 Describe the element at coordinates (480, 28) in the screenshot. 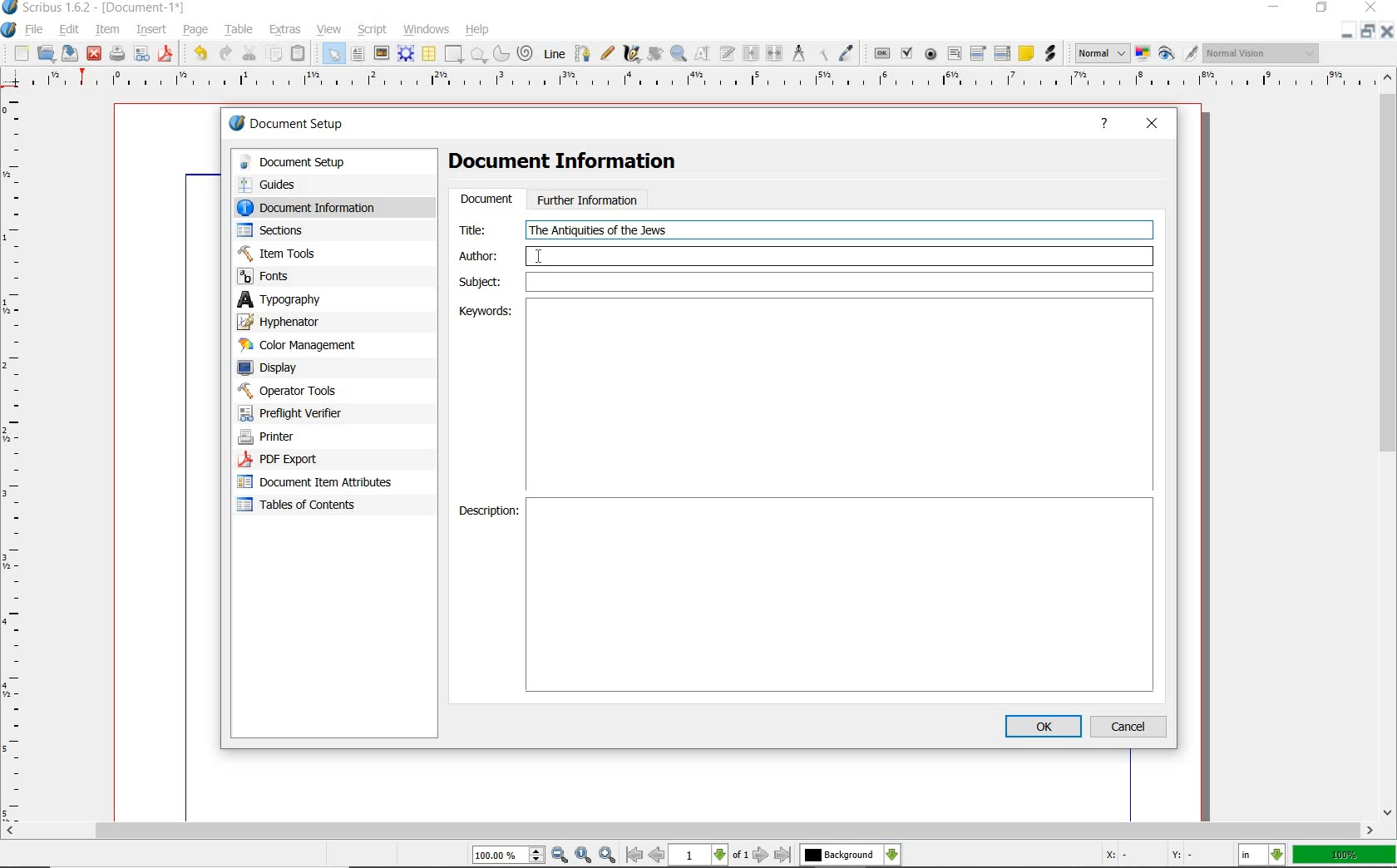

I see `help` at that location.